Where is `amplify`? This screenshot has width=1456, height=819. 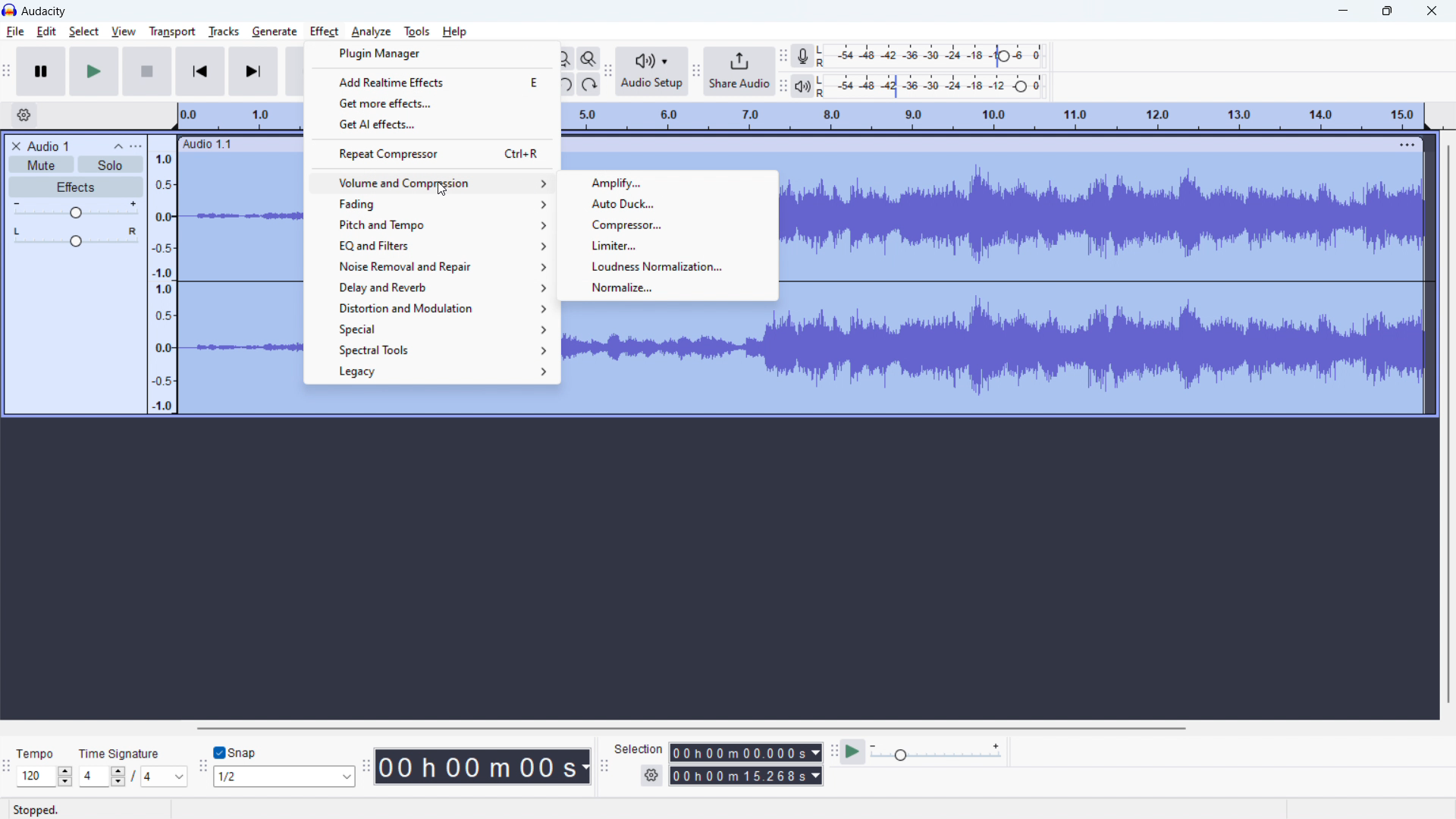 amplify is located at coordinates (668, 184).